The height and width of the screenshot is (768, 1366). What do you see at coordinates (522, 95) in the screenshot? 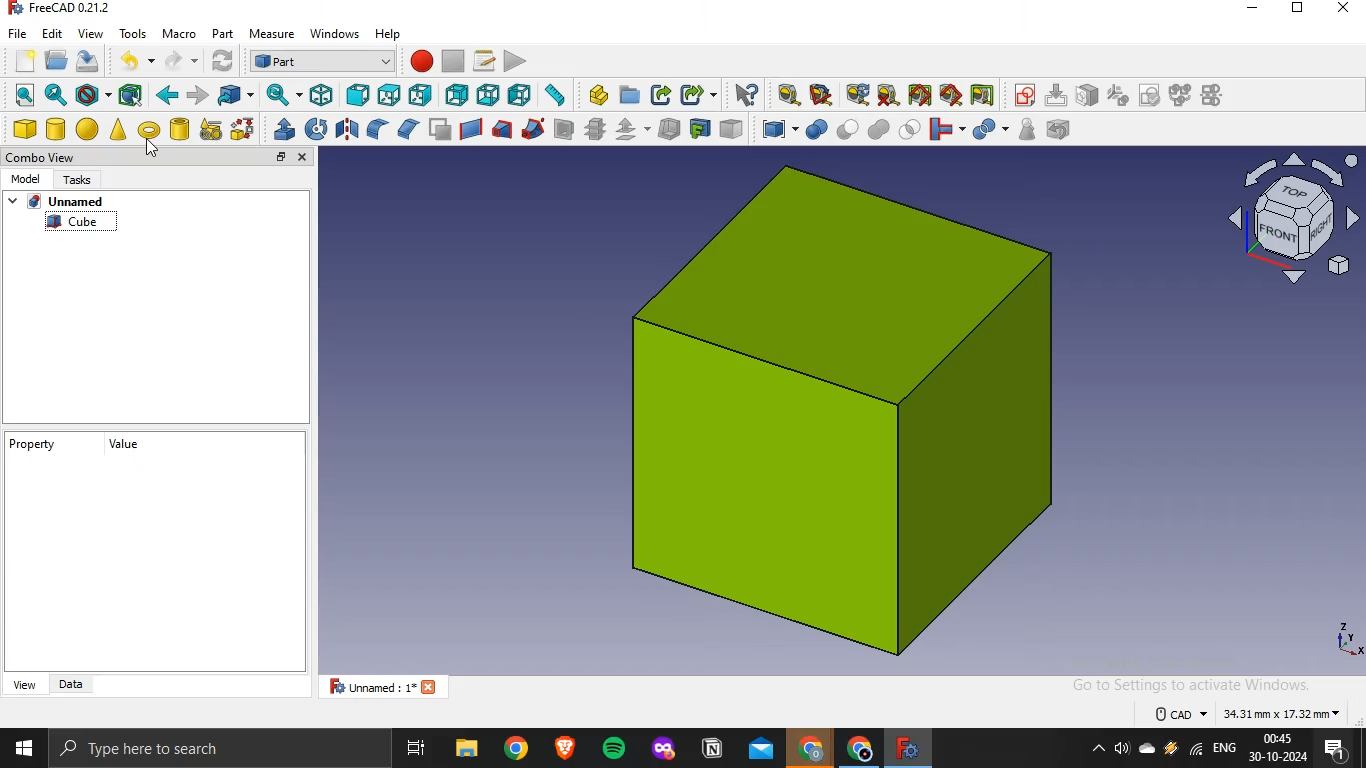
I see `left` at bounding box center [522, 95].